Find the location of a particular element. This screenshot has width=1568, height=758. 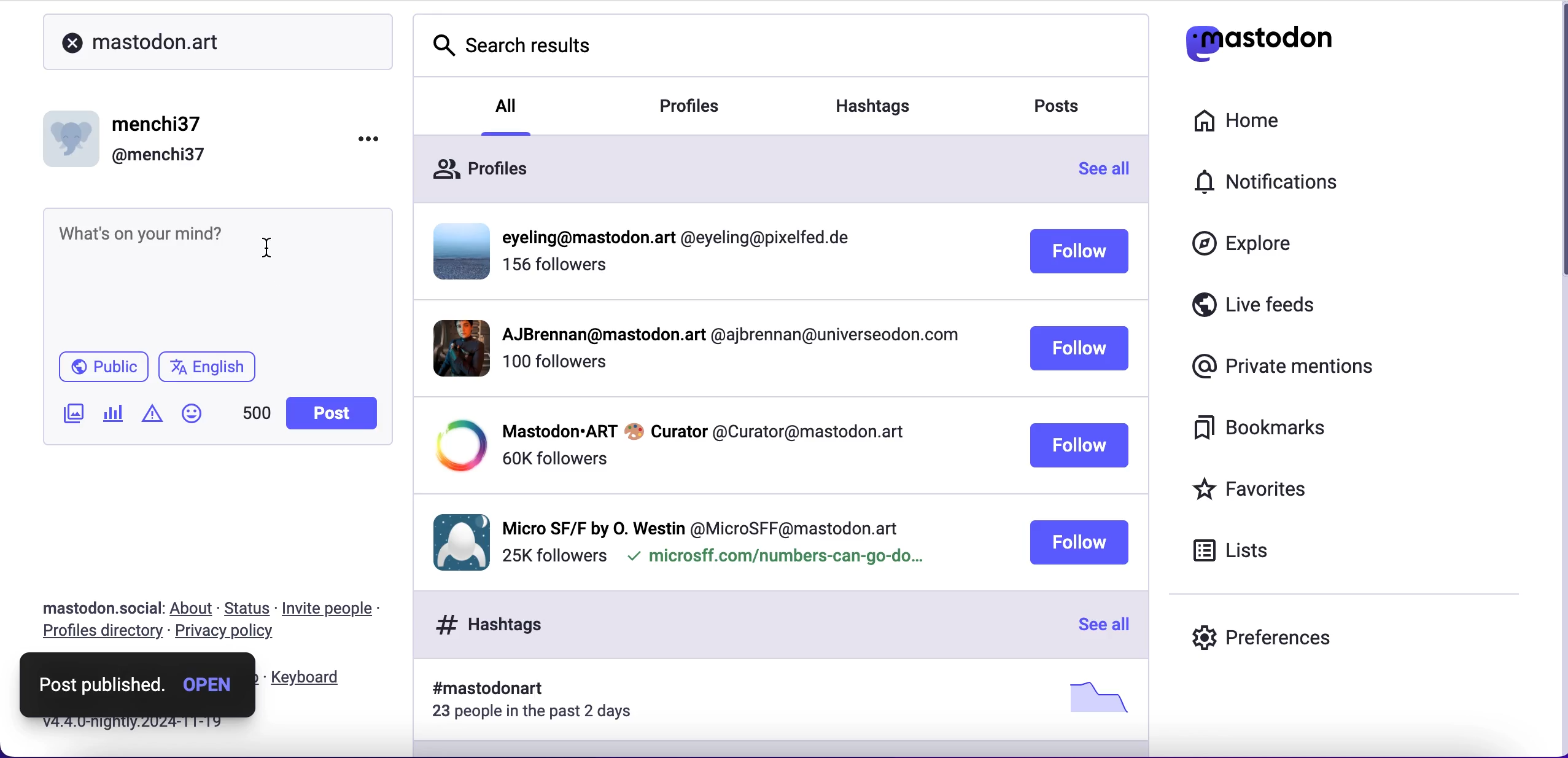

see all is located at coordinates (1101, 626).